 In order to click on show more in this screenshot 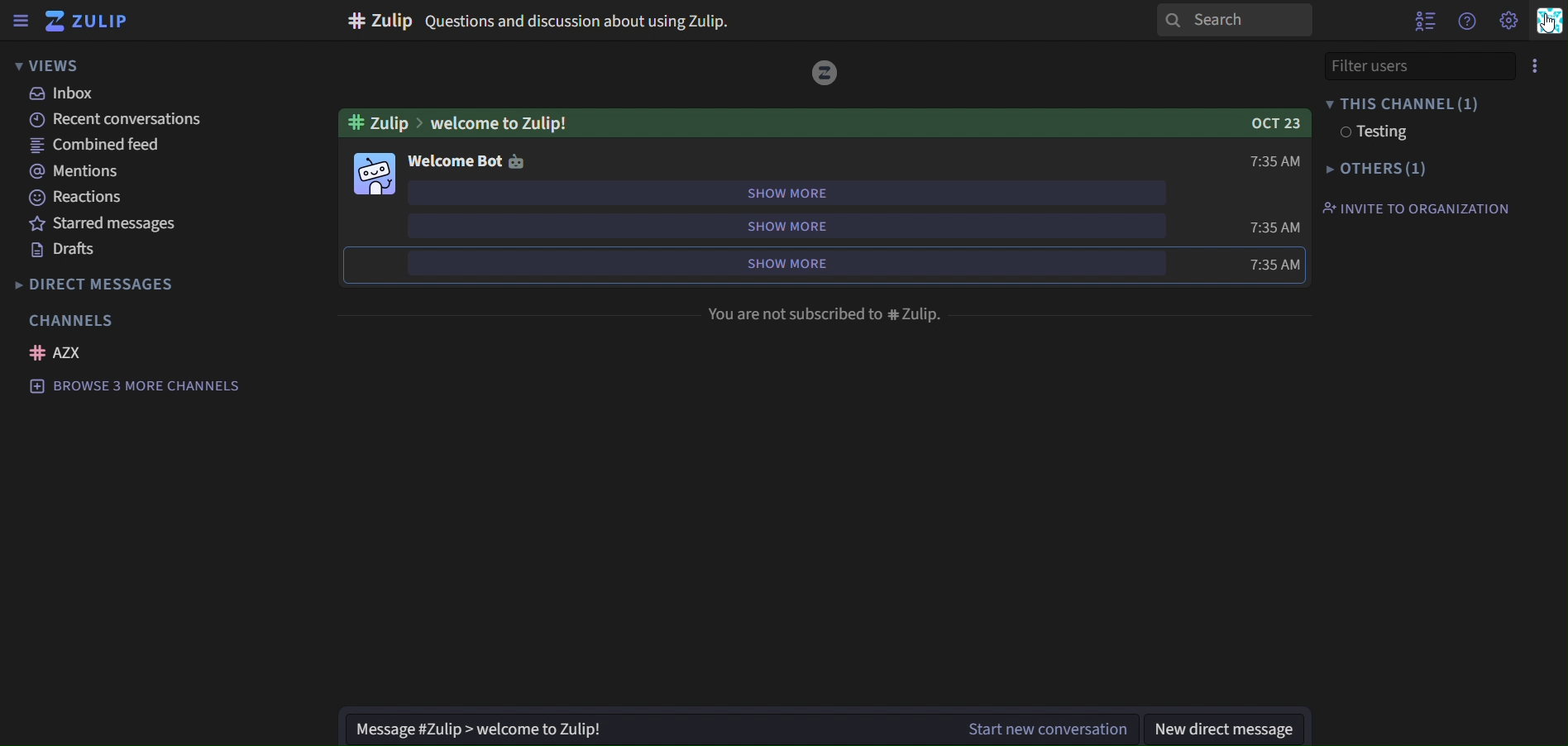, I will do `click(791, 191)`.